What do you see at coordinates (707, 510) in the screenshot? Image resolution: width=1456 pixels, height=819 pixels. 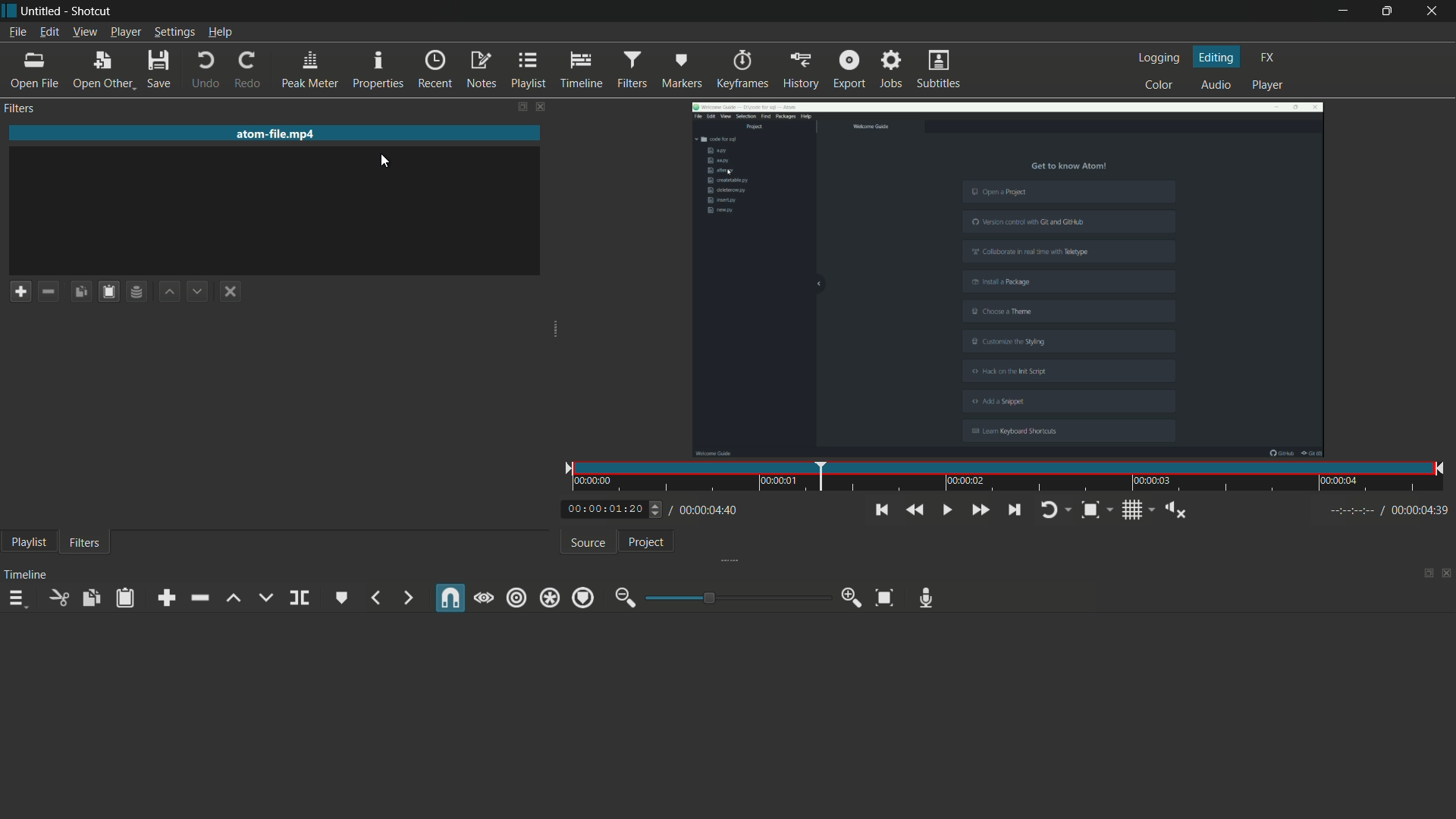 I see `total time` at bounding box center [707, 510].